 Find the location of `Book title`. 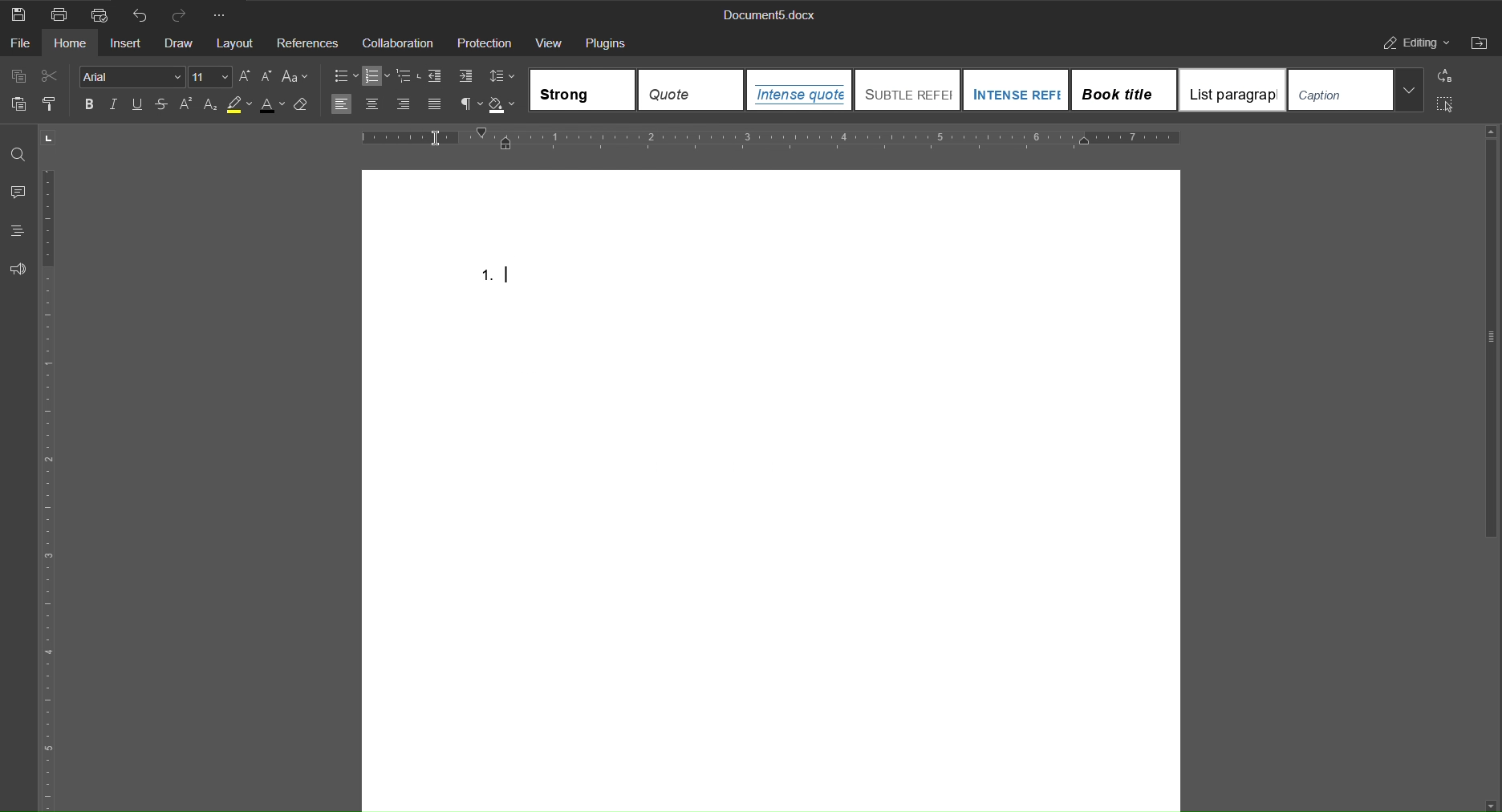

Book title is located at coordinates (1127, 90).